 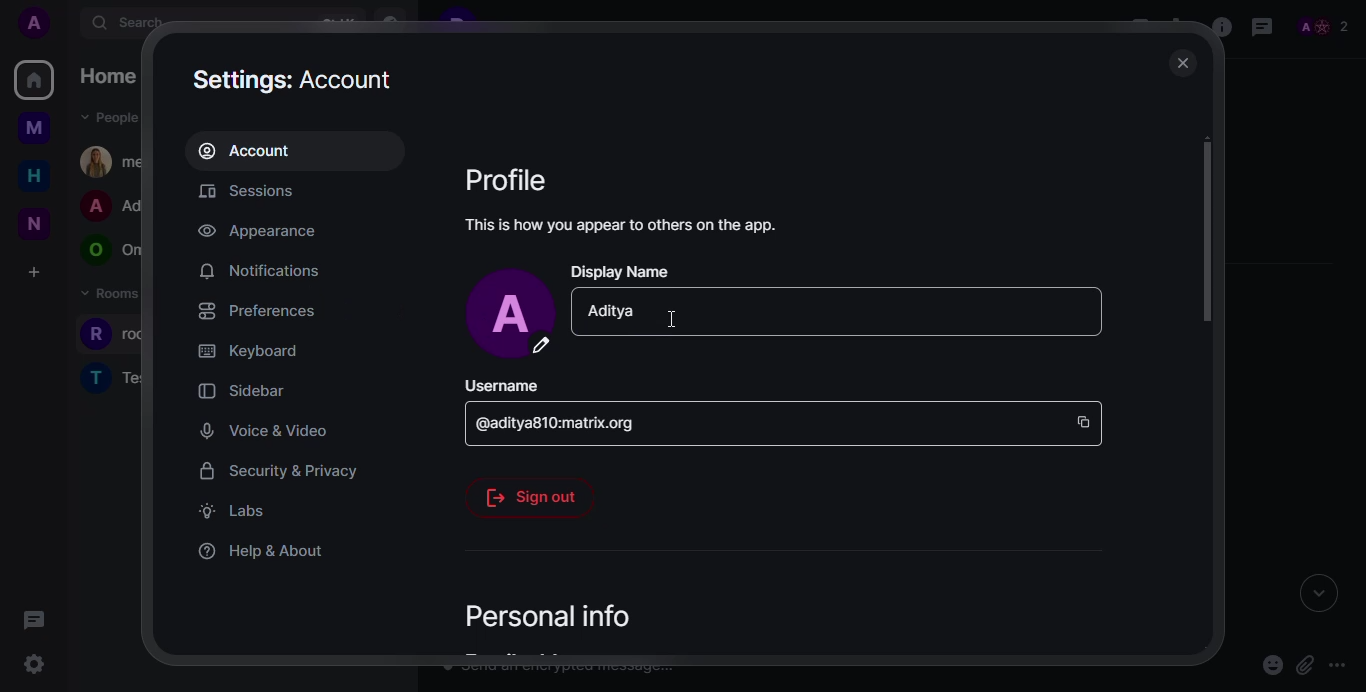 What do you see at coordinates (109, 298) in the screenshot?
I see `rooms` at bounding box center [109, 298].